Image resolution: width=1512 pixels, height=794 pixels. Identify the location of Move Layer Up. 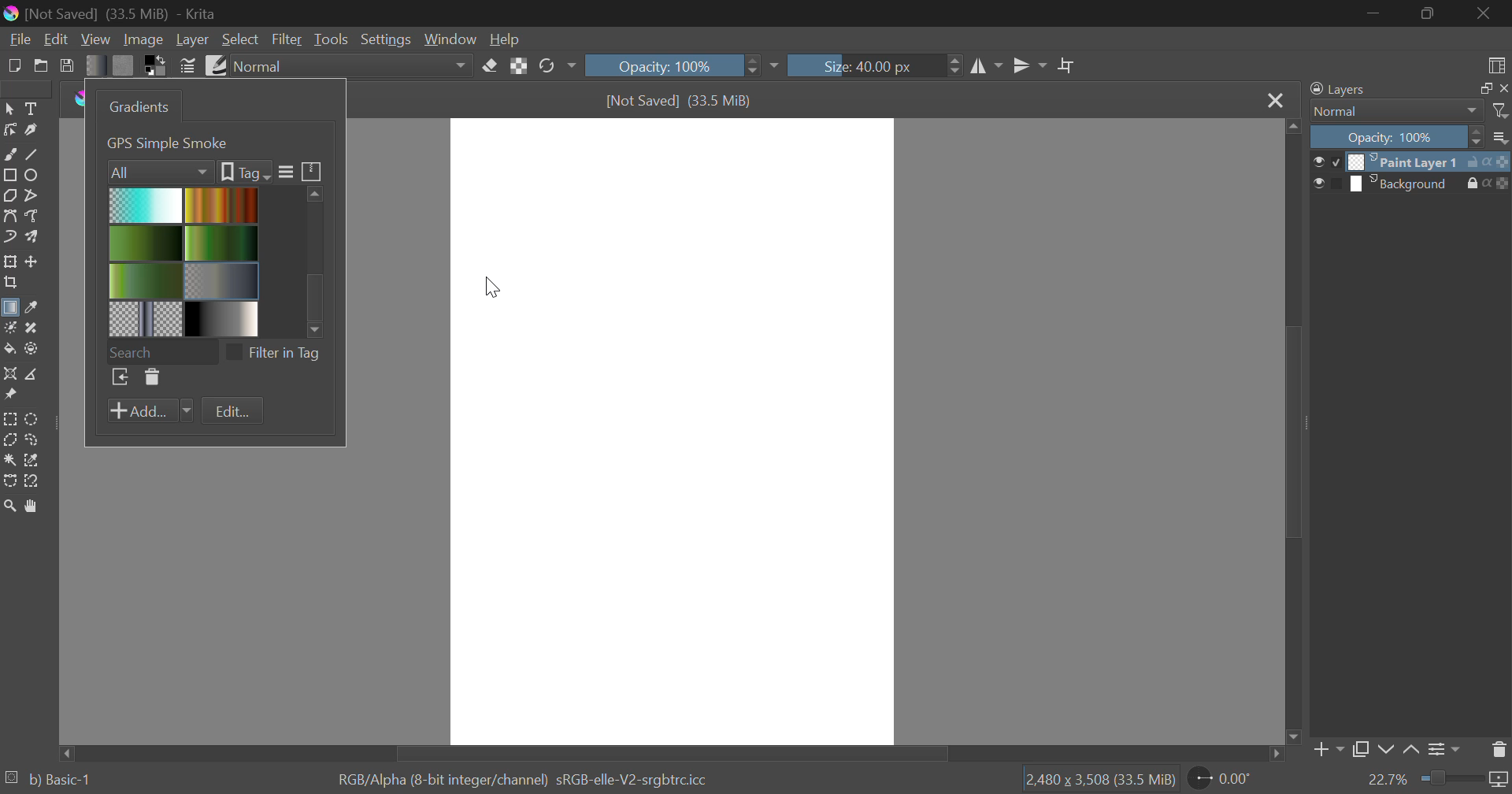
(1412, 751).